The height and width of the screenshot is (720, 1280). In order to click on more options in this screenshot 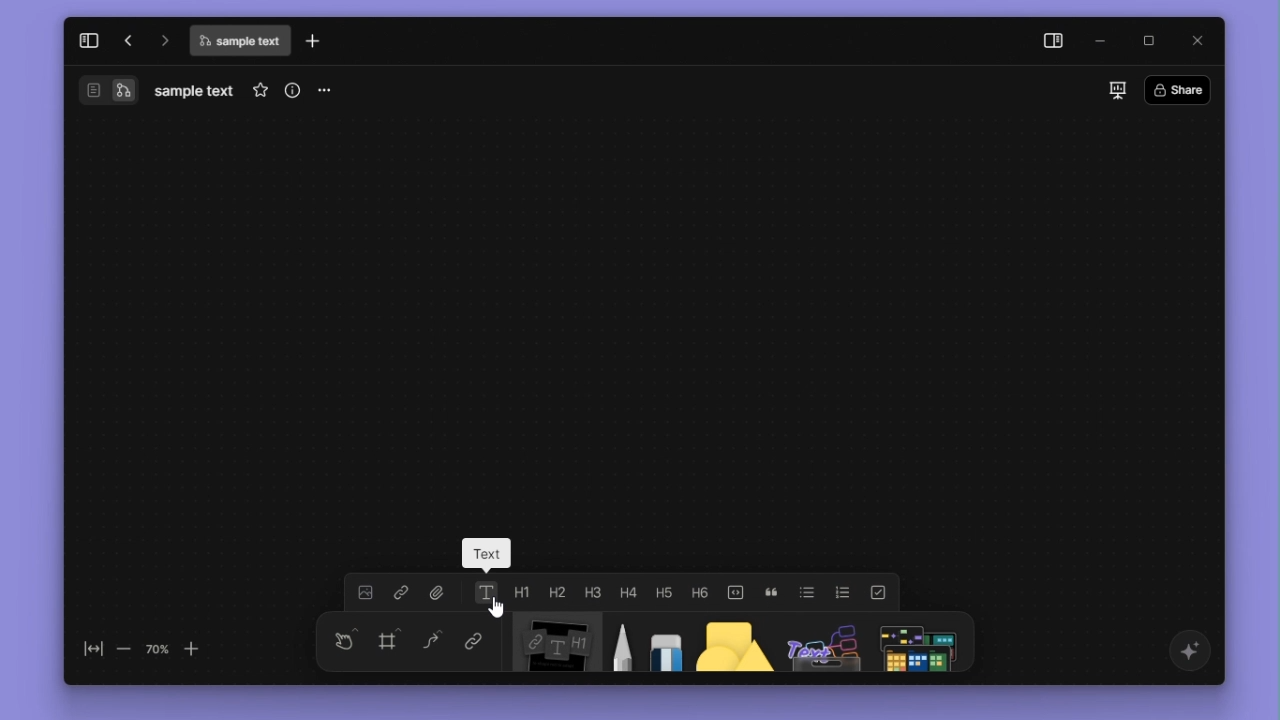, I will do `click(328, 91)`.